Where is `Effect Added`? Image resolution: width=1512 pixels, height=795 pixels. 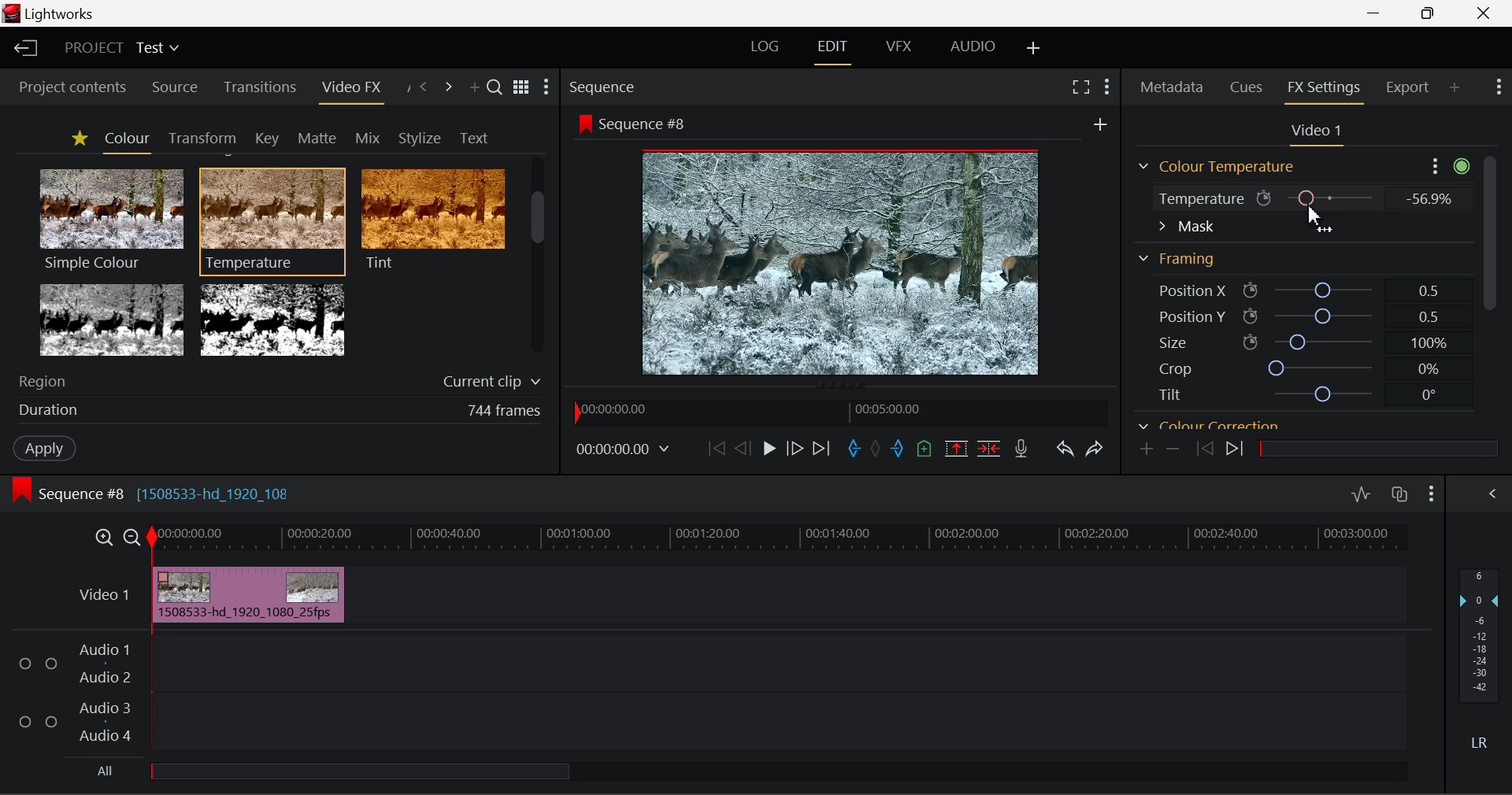 Effect Added is located at coordinates (250, 594).